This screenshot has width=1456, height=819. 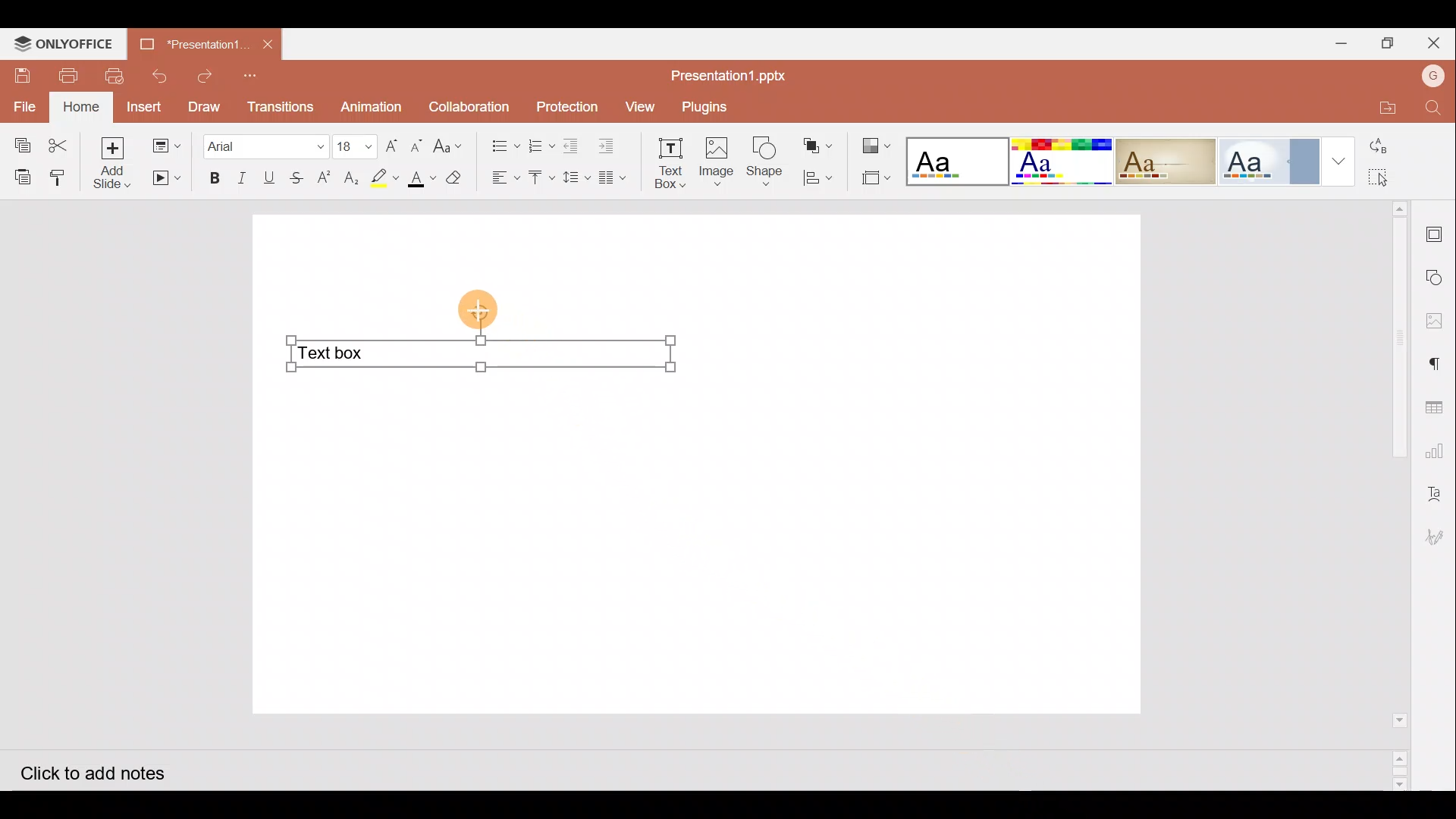 I want to click on Text box, so click(x=479, y=358).